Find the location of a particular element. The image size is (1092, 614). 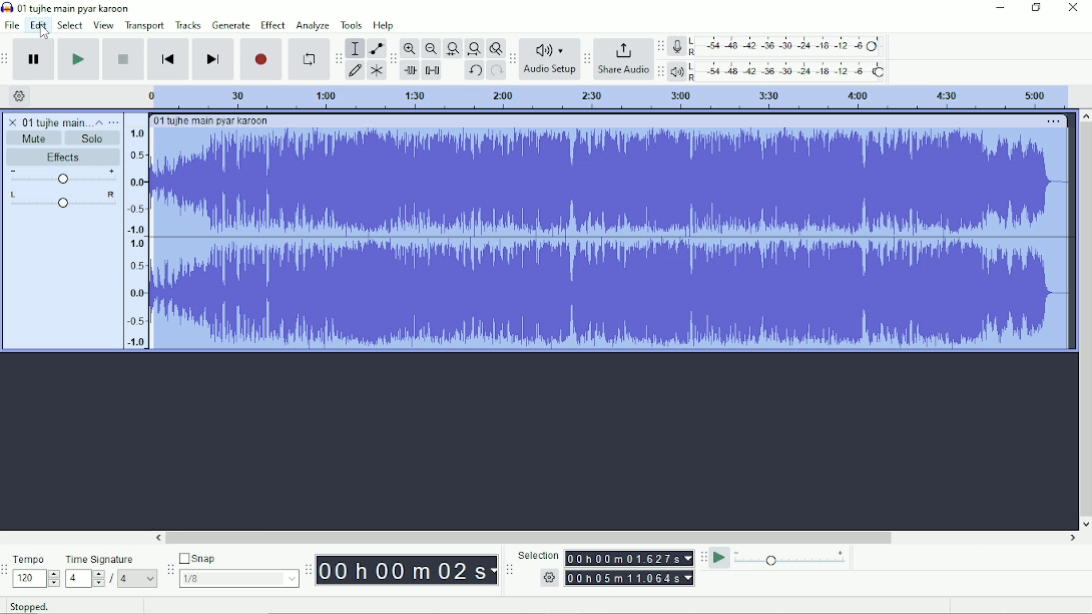

4 is located at coordinates (85, 579).